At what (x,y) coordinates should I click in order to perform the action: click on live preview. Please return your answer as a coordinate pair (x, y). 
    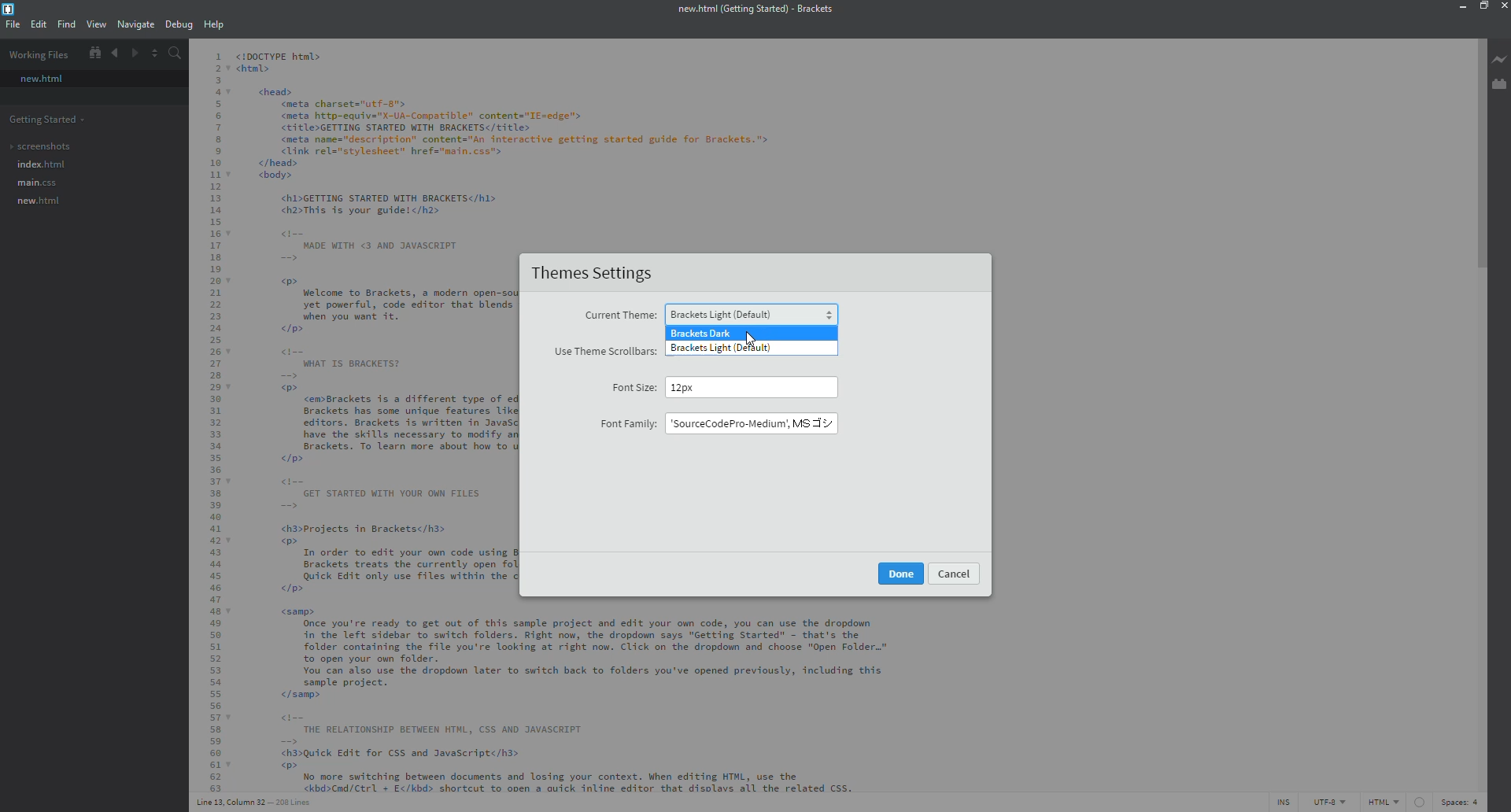
    Looking at the image, I should click on (1501, 58).